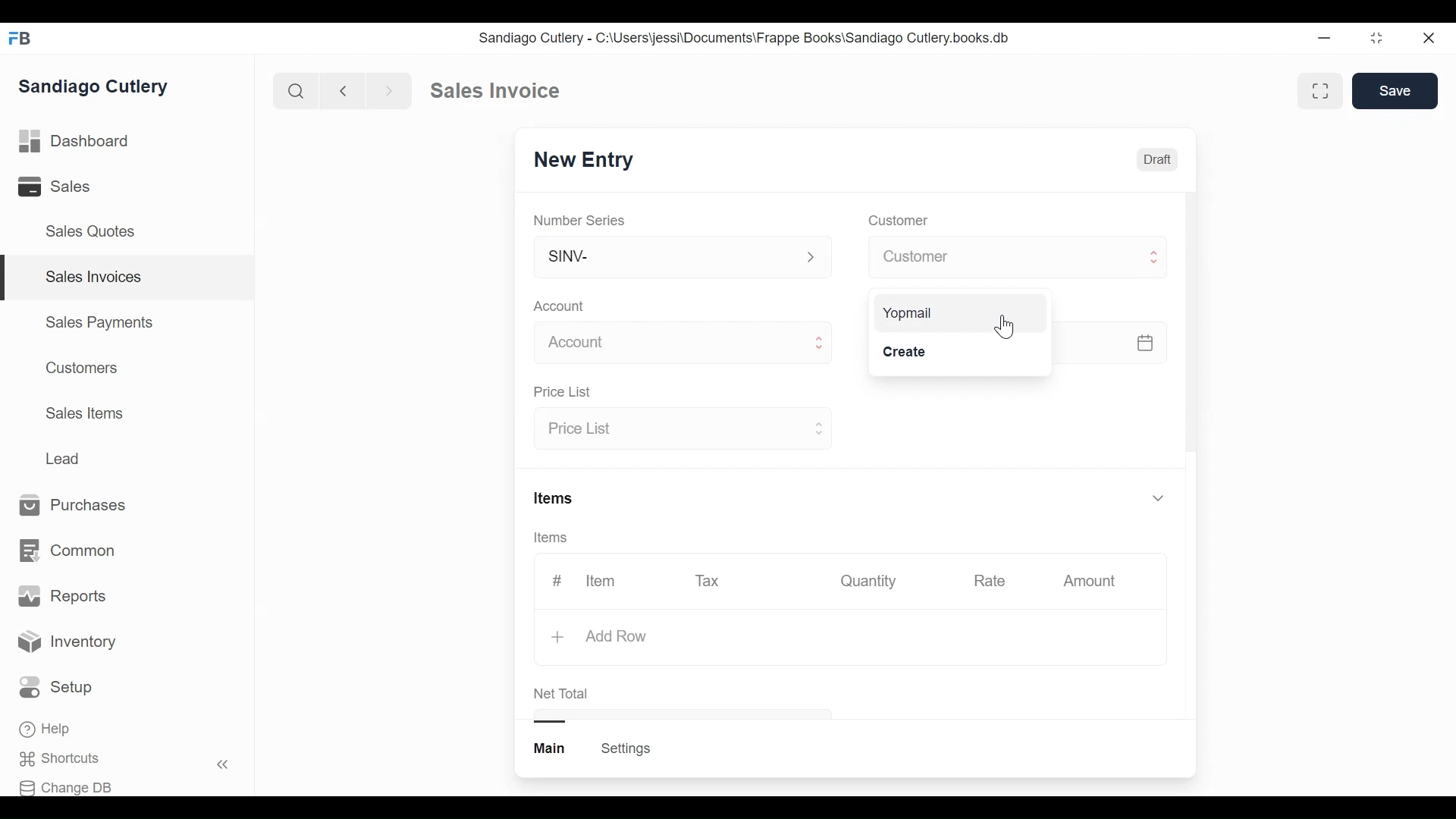 The image size is (1456, 819). Describe the element at coordinates (66, 788) in the screenshot. I see `Change DB` at that location.